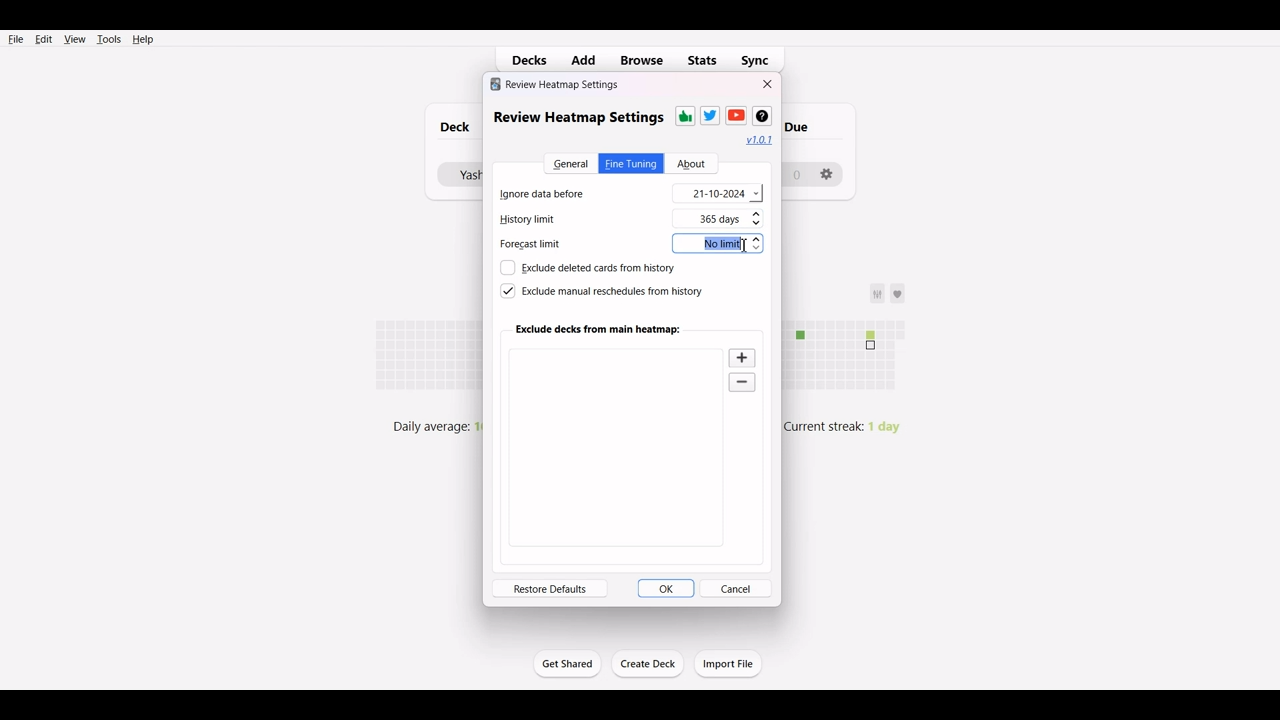 The width and height of the screenshot is (1280, 720). I want to click on Deck, so click(450, 127).